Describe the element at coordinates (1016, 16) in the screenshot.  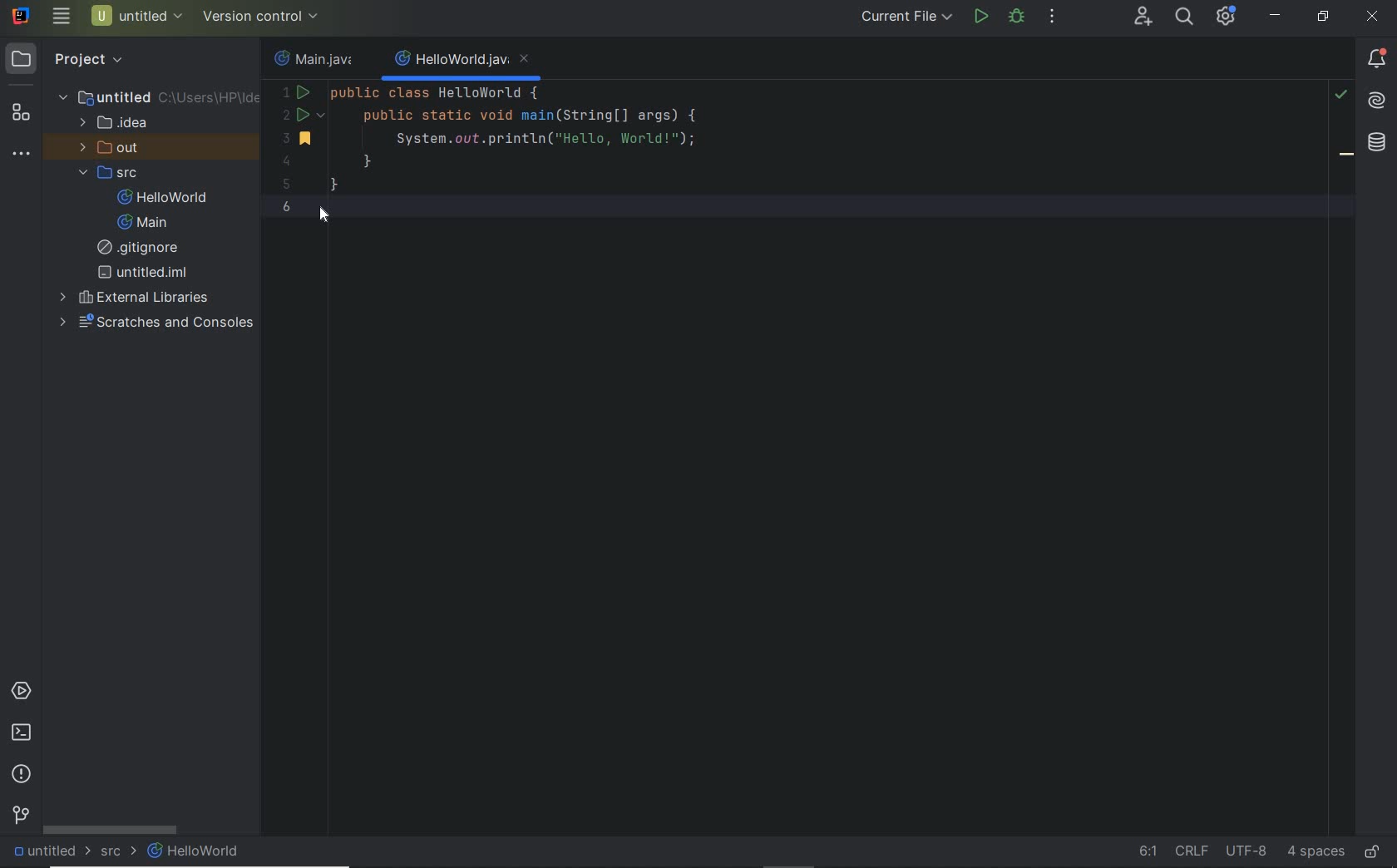
I see `debug` at that location.